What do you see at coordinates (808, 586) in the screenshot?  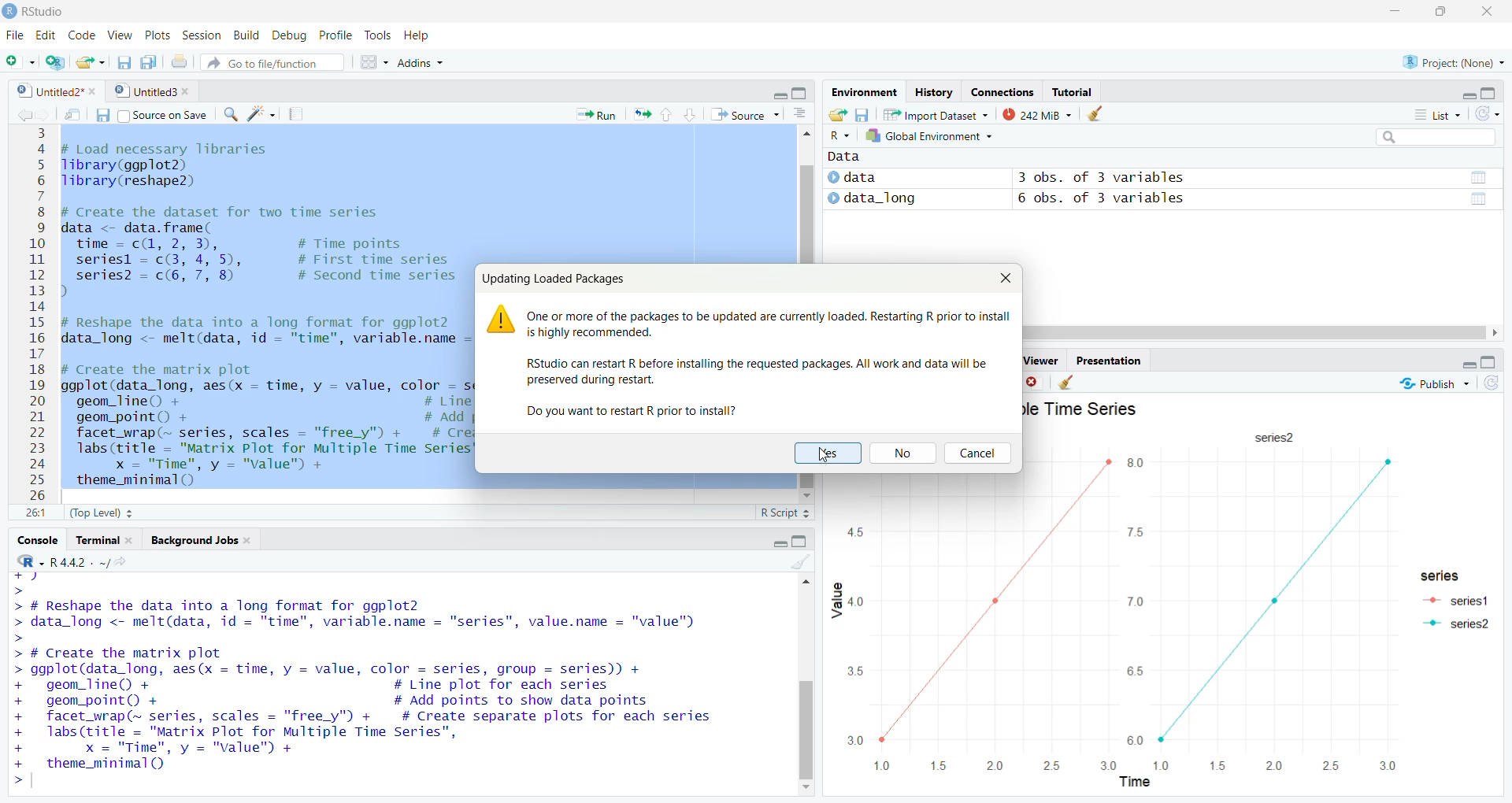 I see `Scroll up` at bounding box center [808, 586].